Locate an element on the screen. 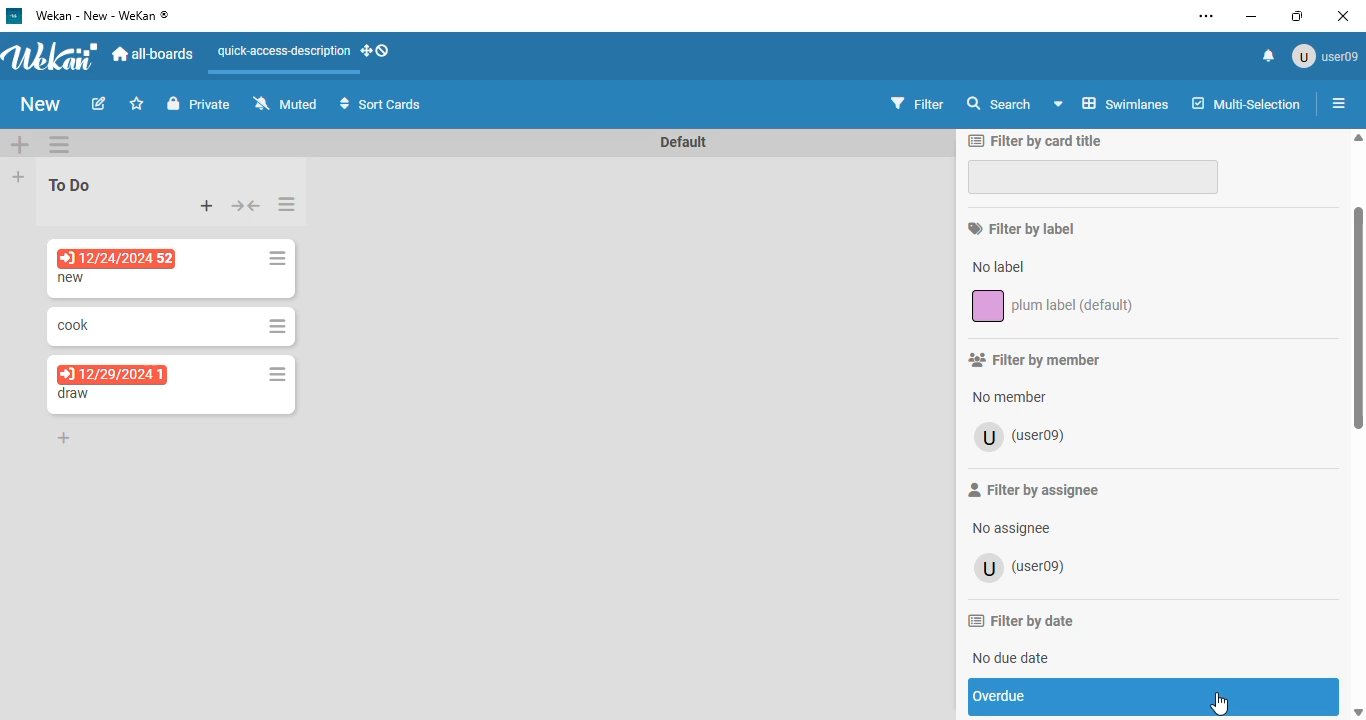 This screenshot has height=720, width=1366. cursor is located at coordinates (1220, 703).